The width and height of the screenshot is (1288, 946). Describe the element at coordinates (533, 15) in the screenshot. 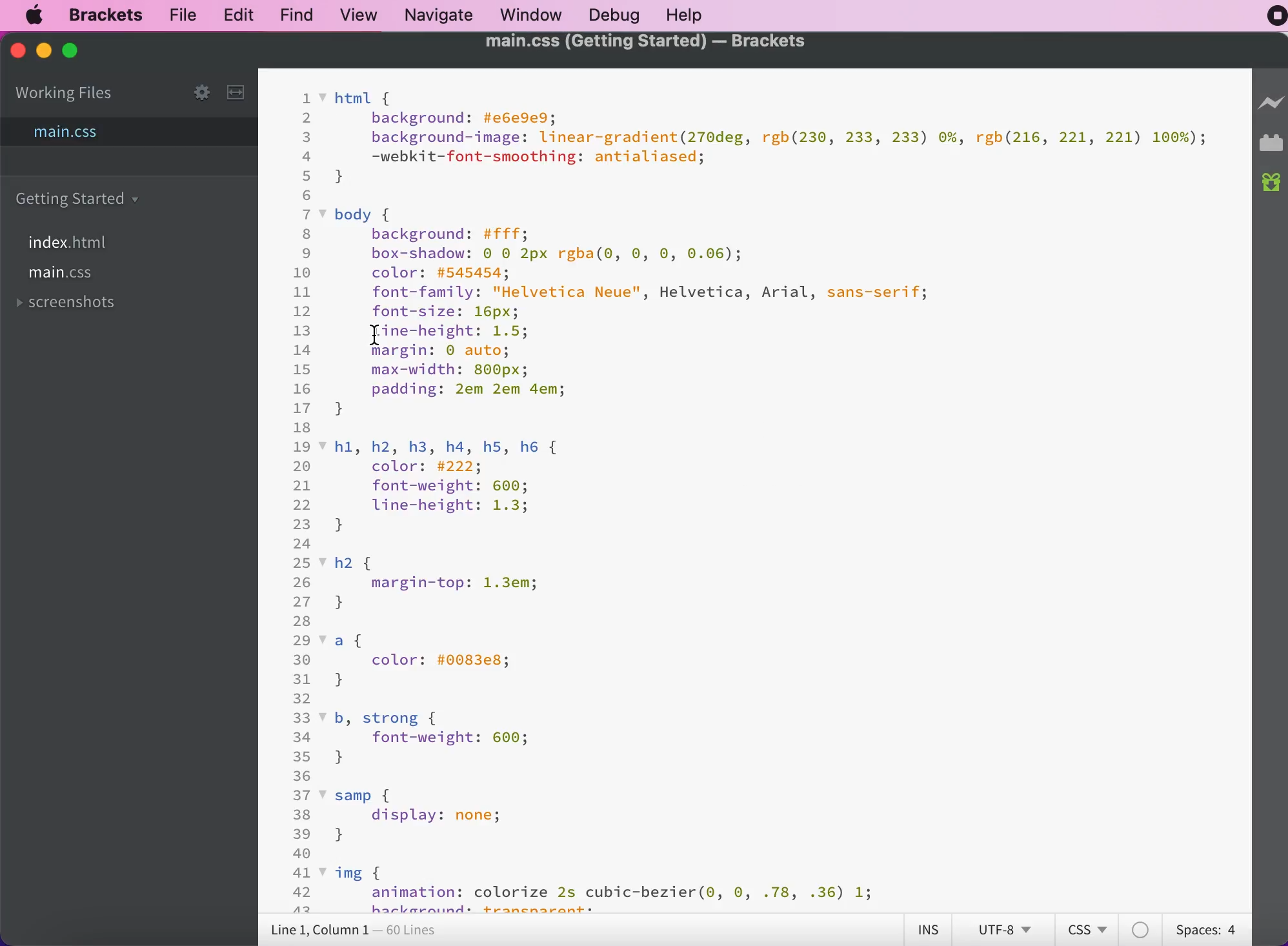

I see `window` at that location.